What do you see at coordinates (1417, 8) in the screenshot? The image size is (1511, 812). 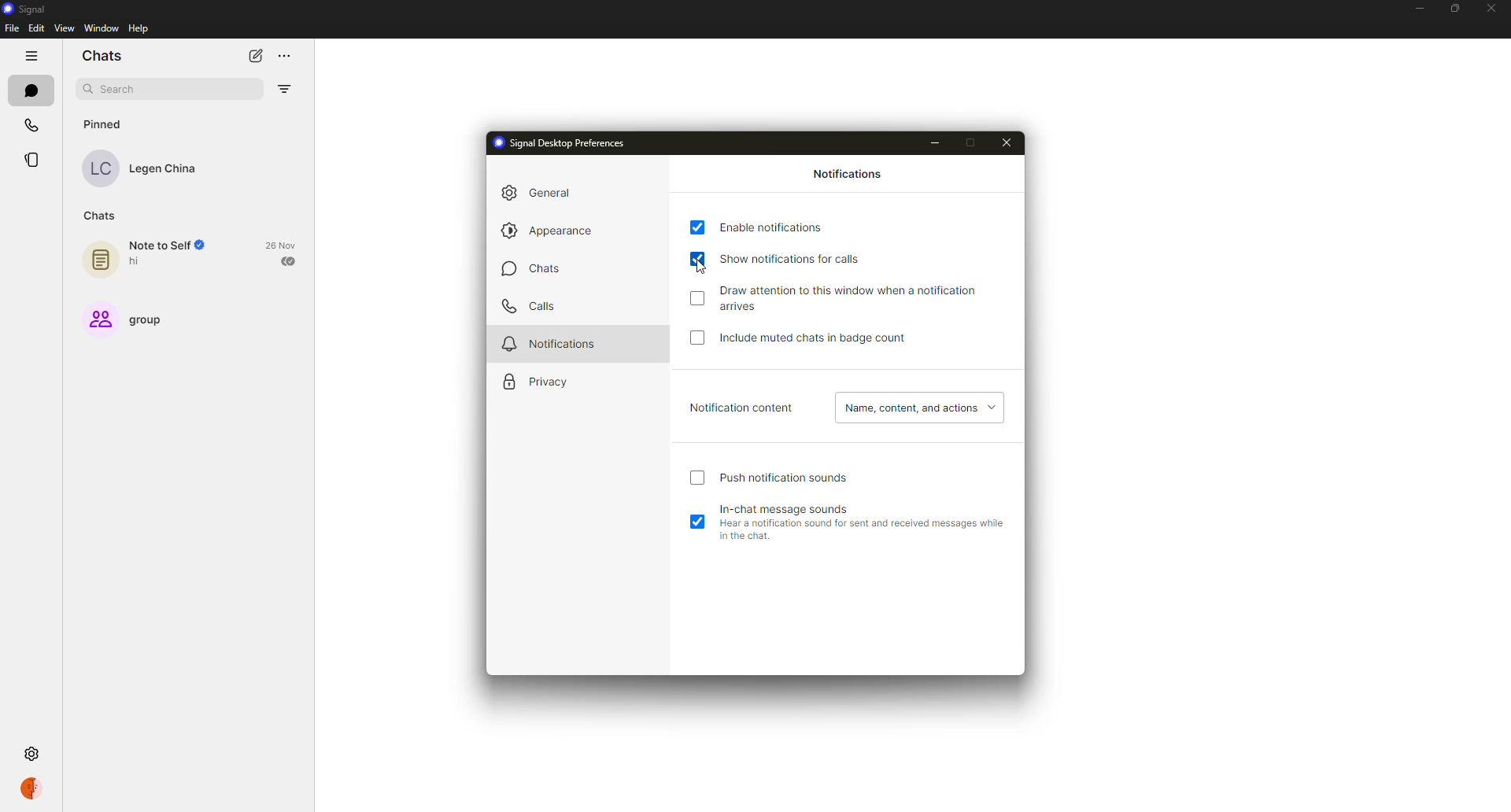 I see `minimize` at bounding box center [1417, 8].